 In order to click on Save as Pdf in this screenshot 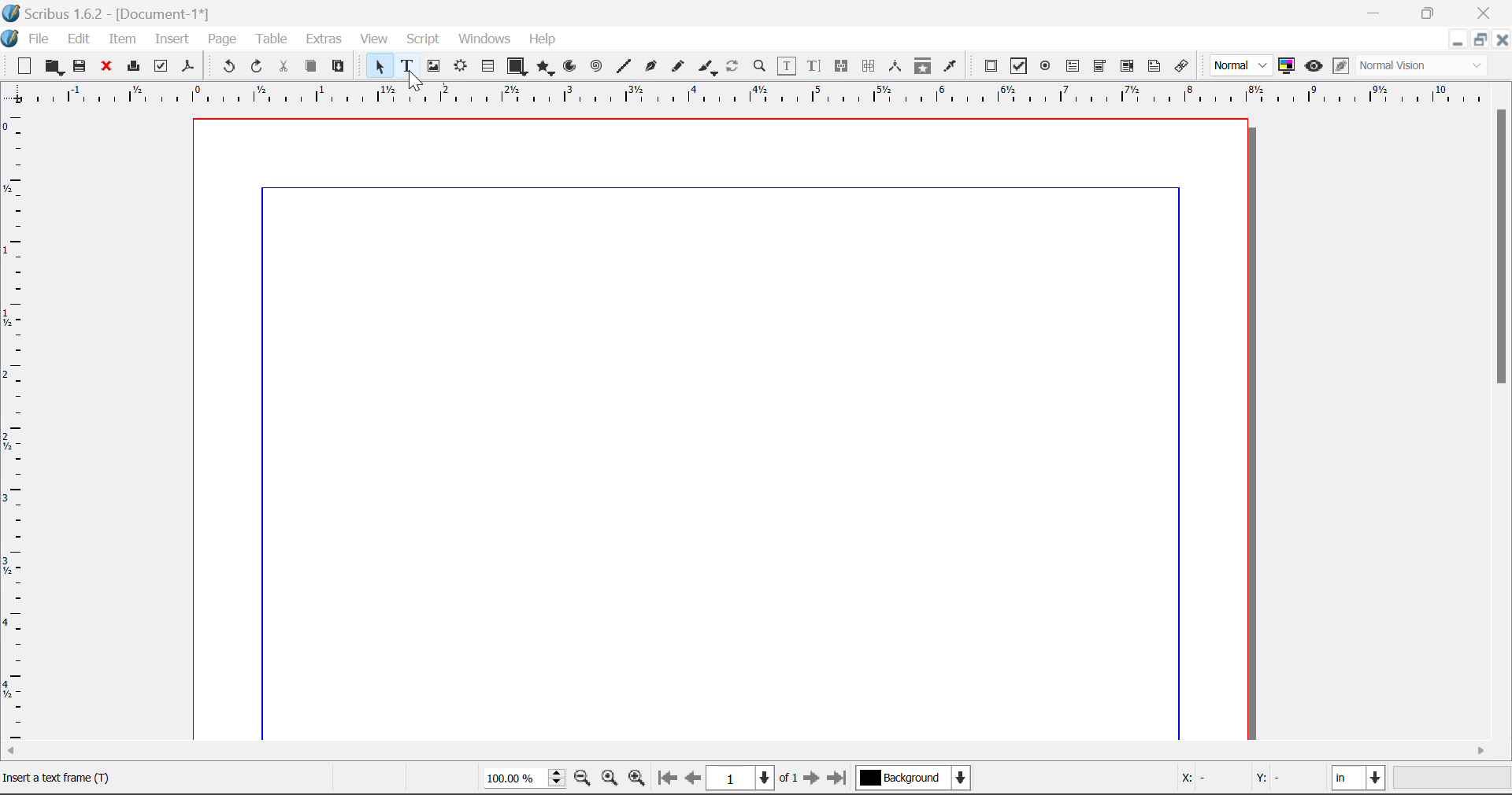, I will do `click(188, 67)`.